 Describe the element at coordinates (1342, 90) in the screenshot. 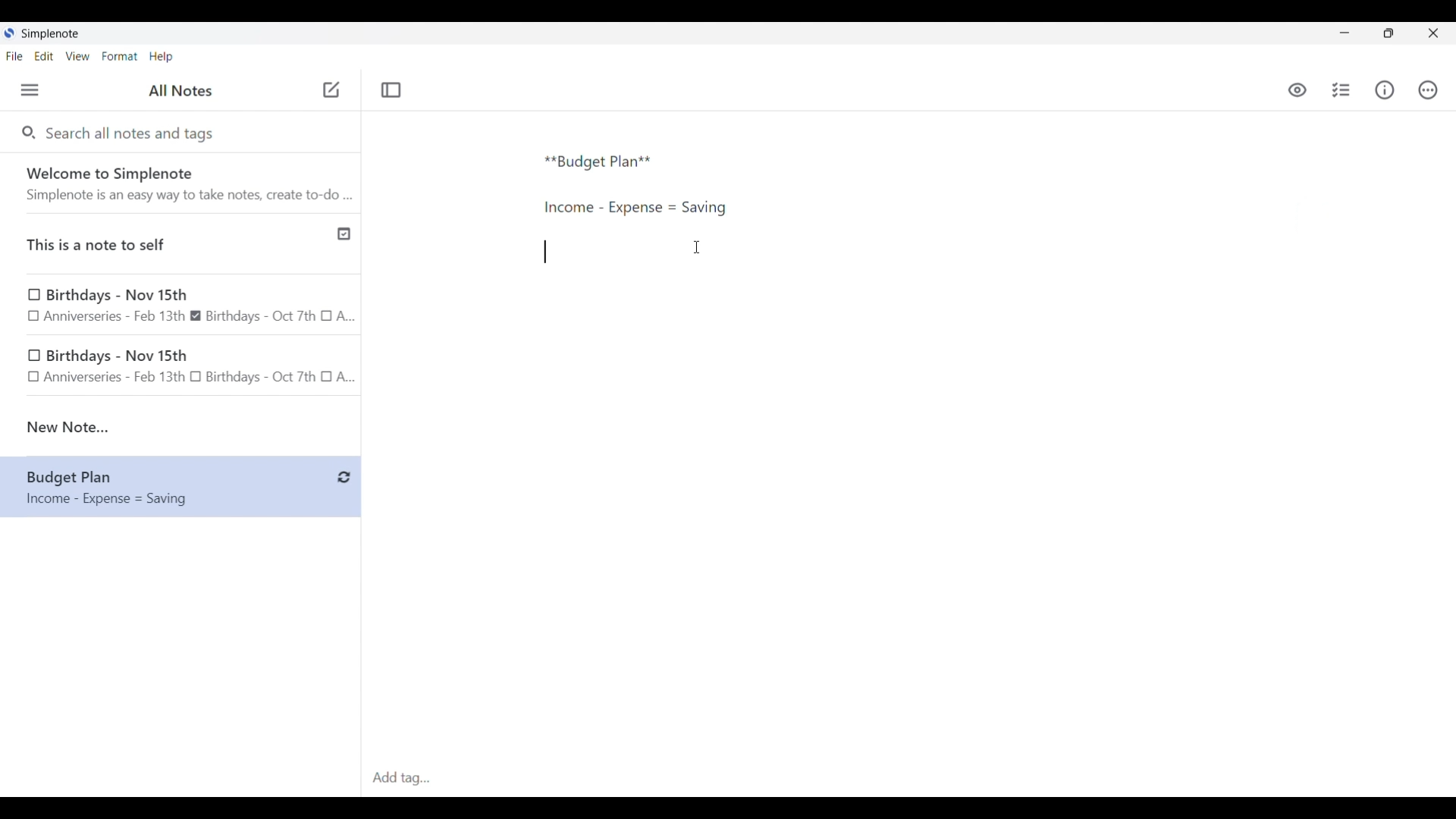

I see `Insert checklist` at that location.